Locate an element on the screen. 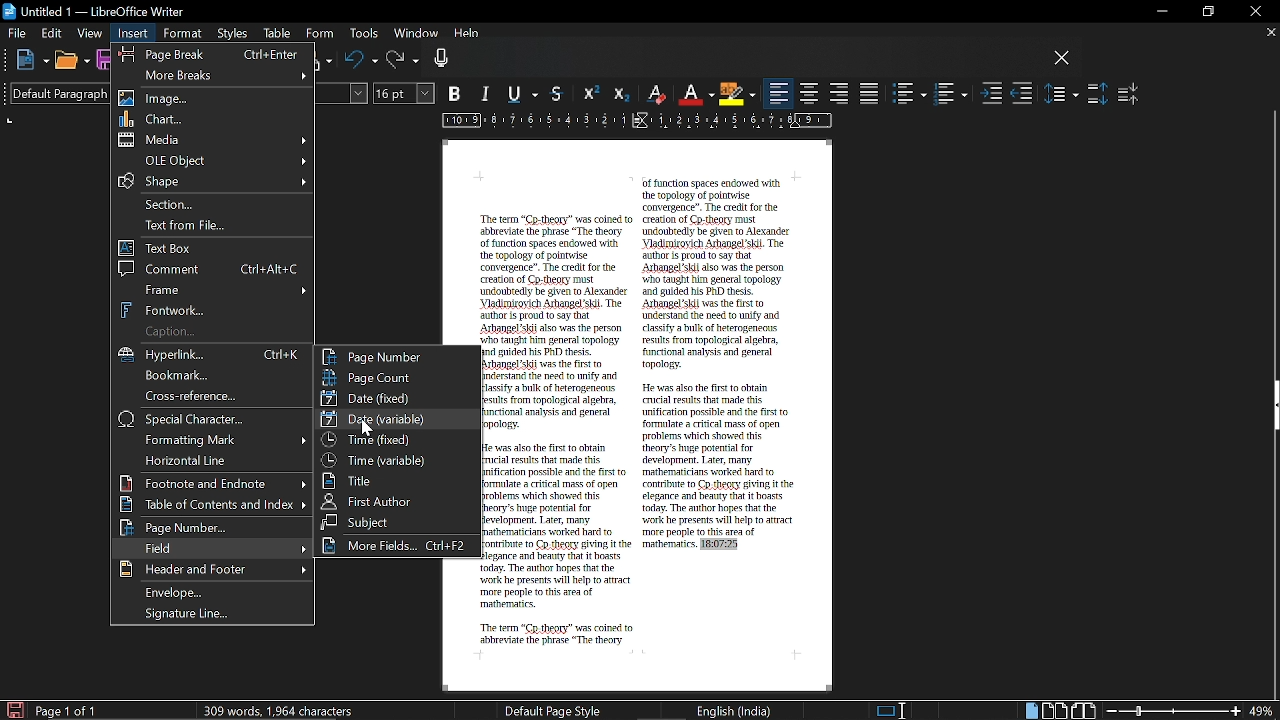  Header and footer is located at coordinates (211, 570).